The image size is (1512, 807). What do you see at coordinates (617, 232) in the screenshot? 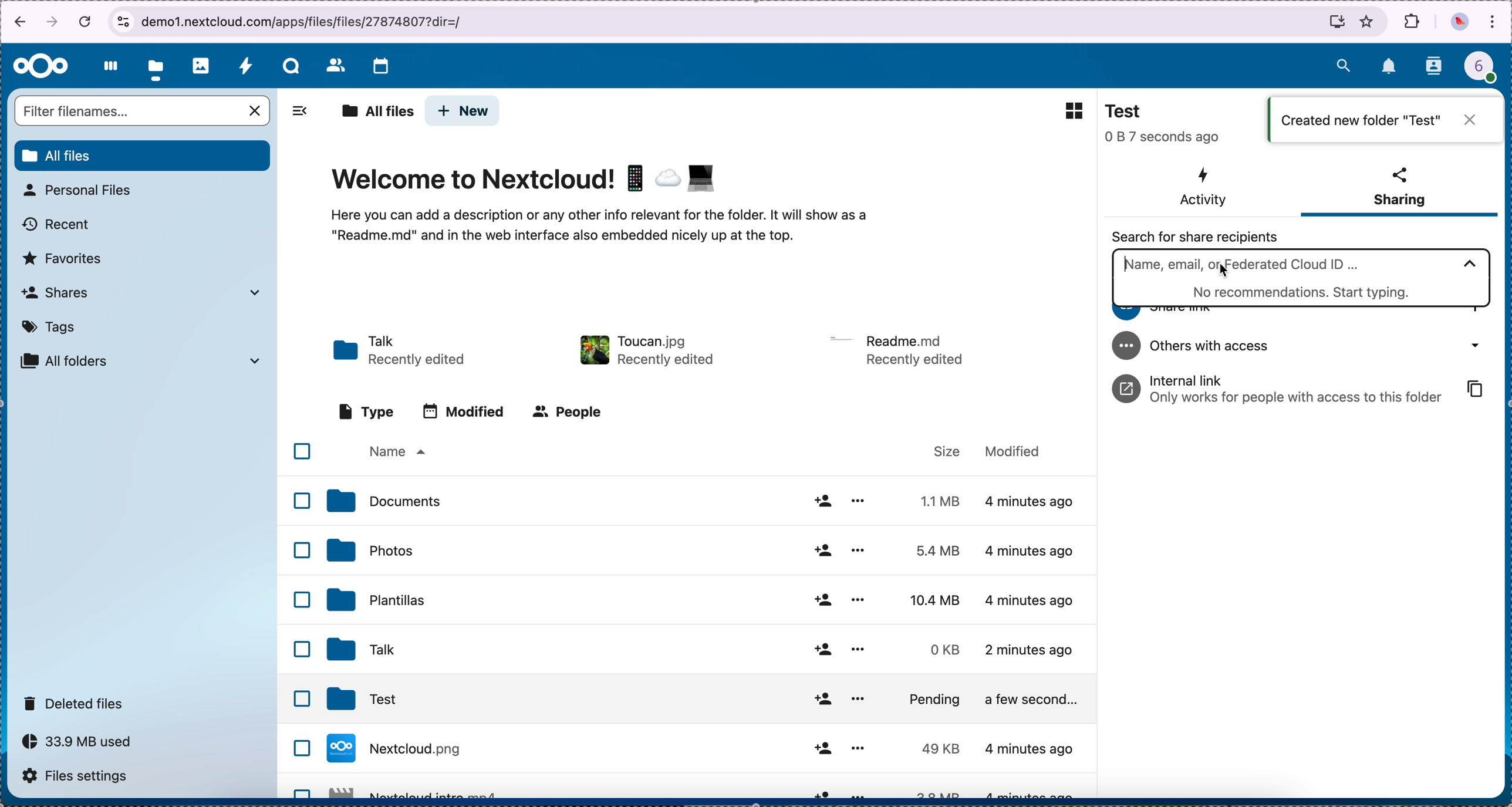
I see `here you can add a description...` at bounding box center [617, 232].